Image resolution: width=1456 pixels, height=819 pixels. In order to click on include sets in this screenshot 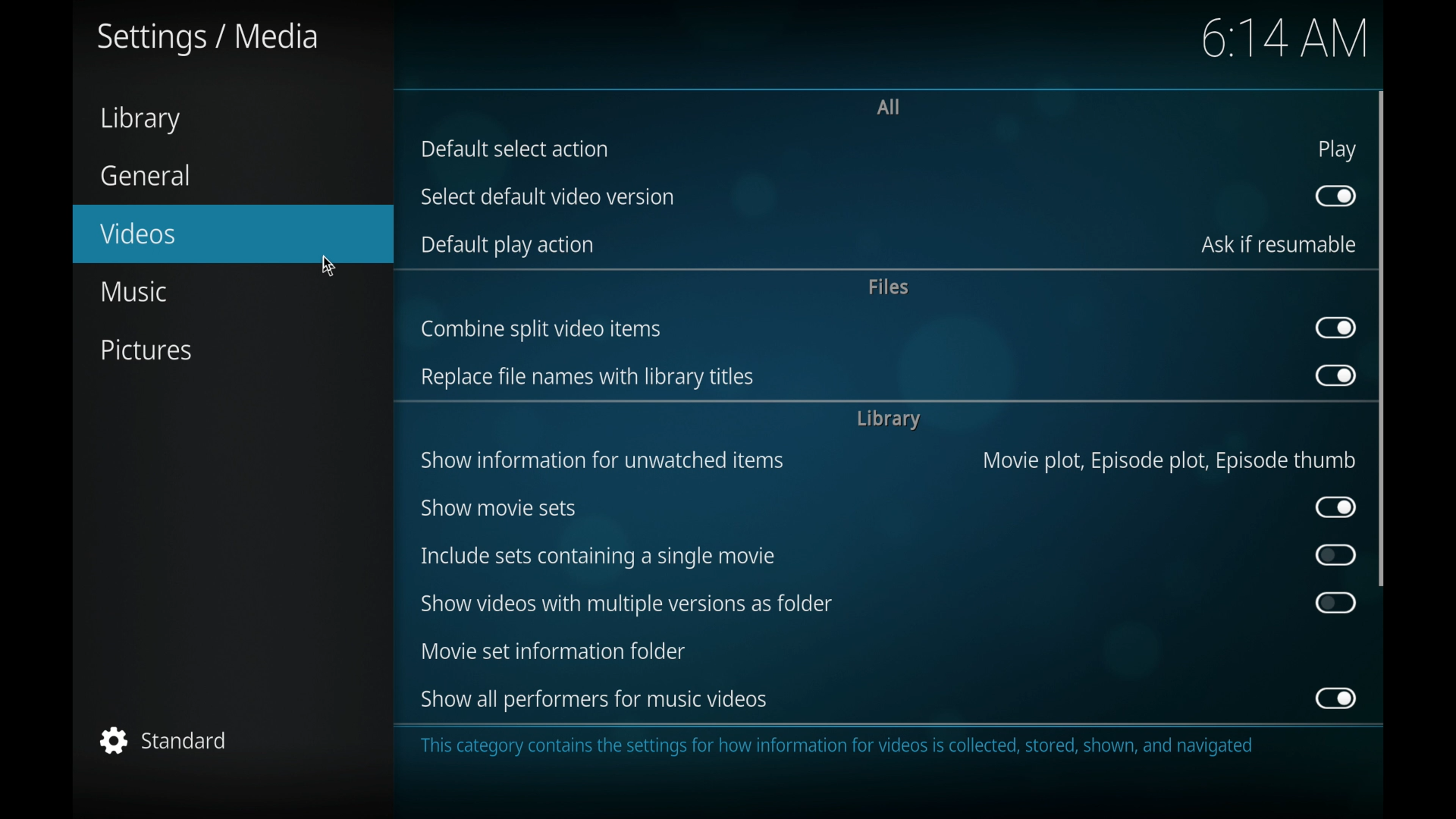, I will do `click(595, 557)`.